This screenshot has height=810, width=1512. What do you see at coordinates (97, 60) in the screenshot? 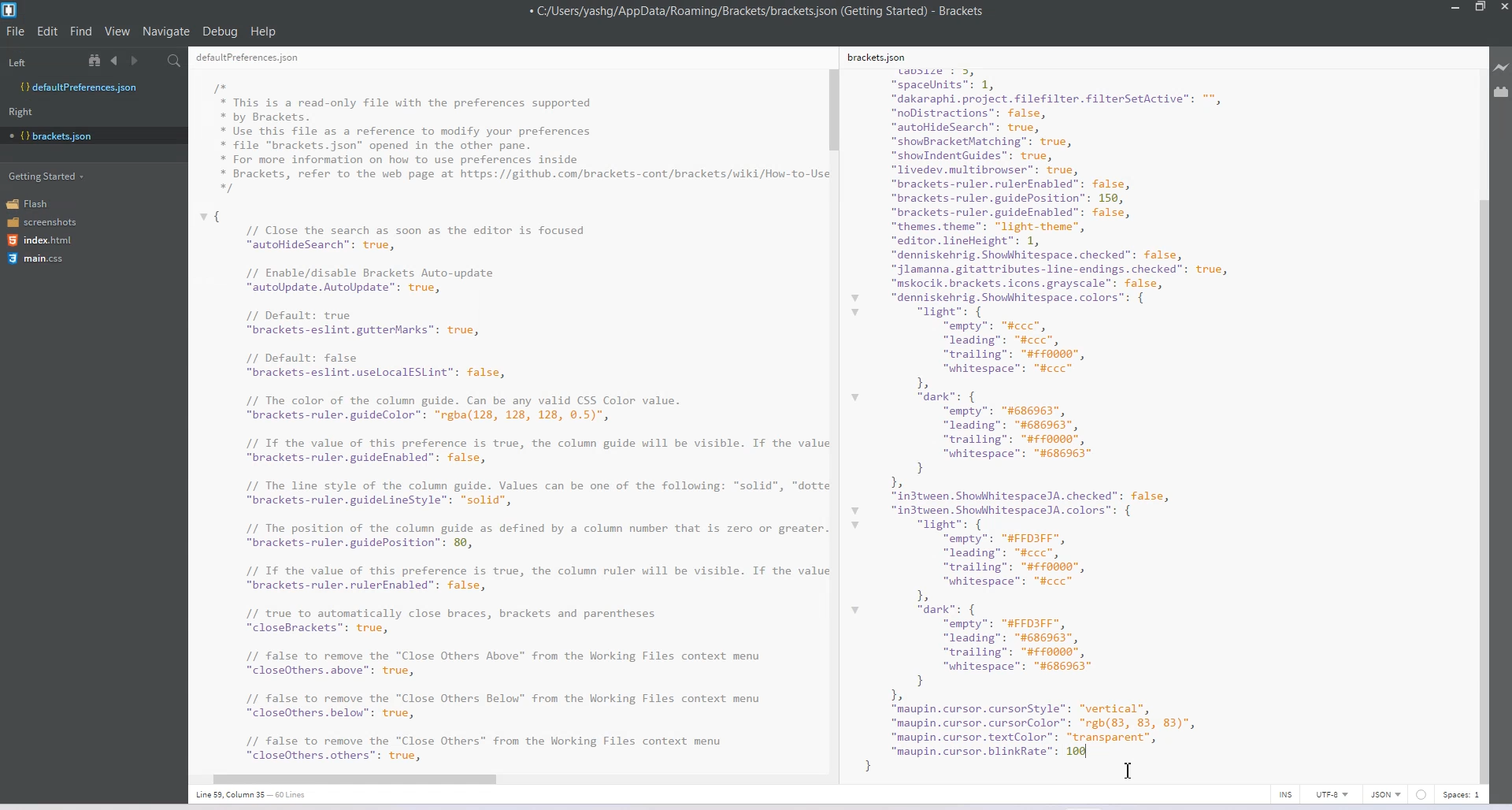
I see `View in file Tree` at bounding box center [97, 60].